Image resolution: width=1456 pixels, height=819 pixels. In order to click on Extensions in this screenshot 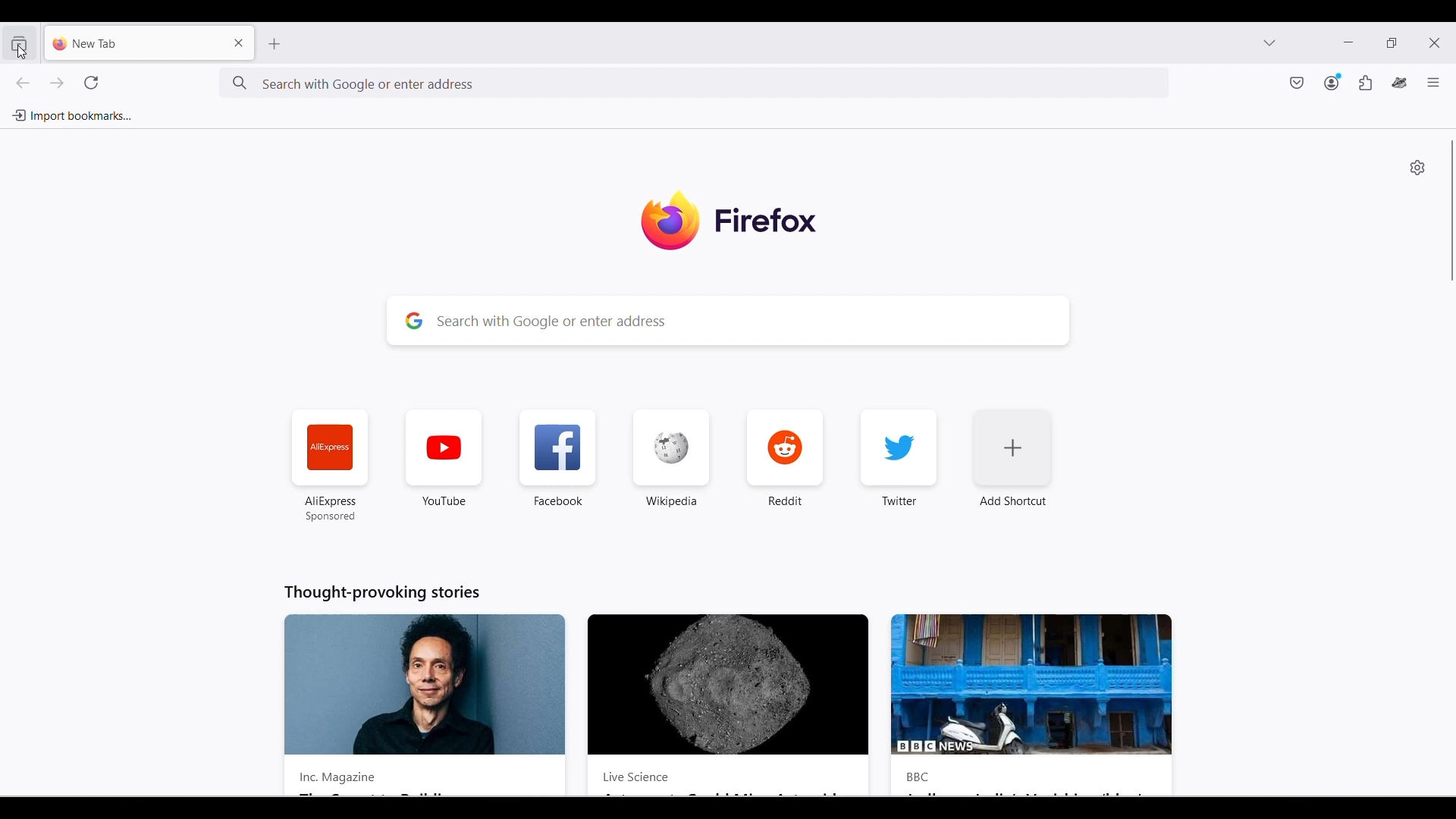, I will do `click(1366, 83)`.